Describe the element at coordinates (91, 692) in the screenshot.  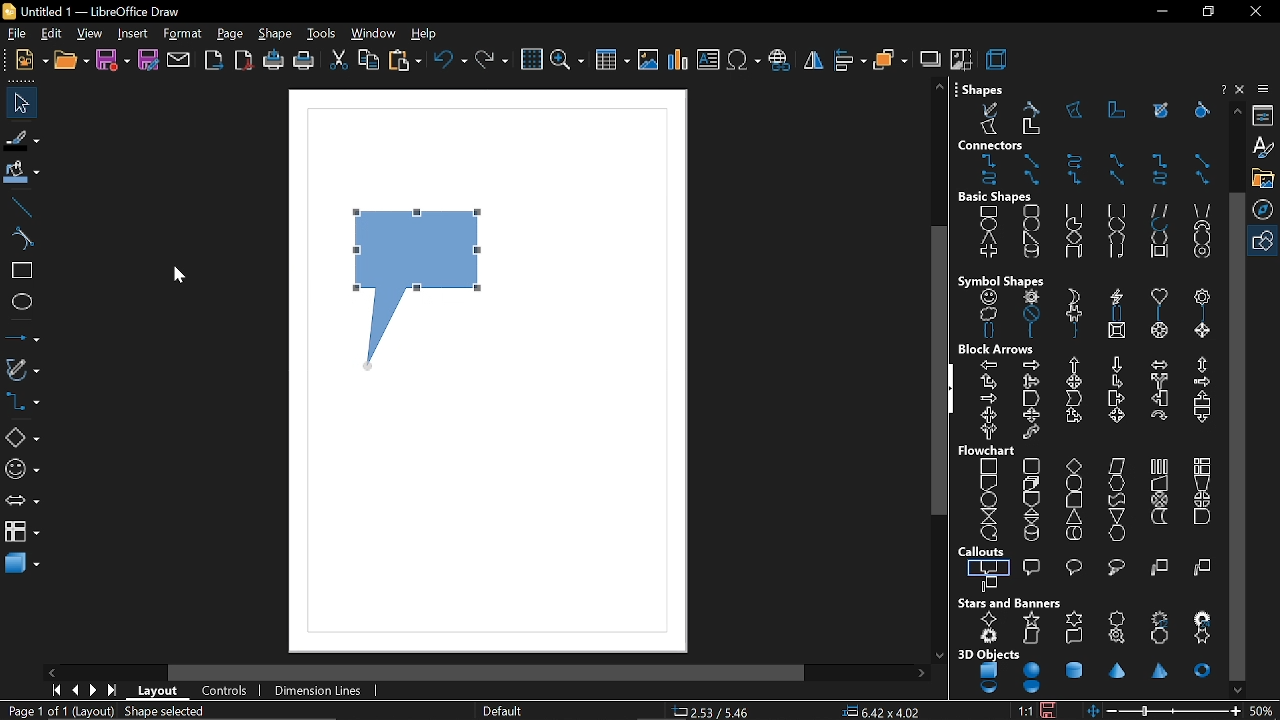
I see `next page` at that location.